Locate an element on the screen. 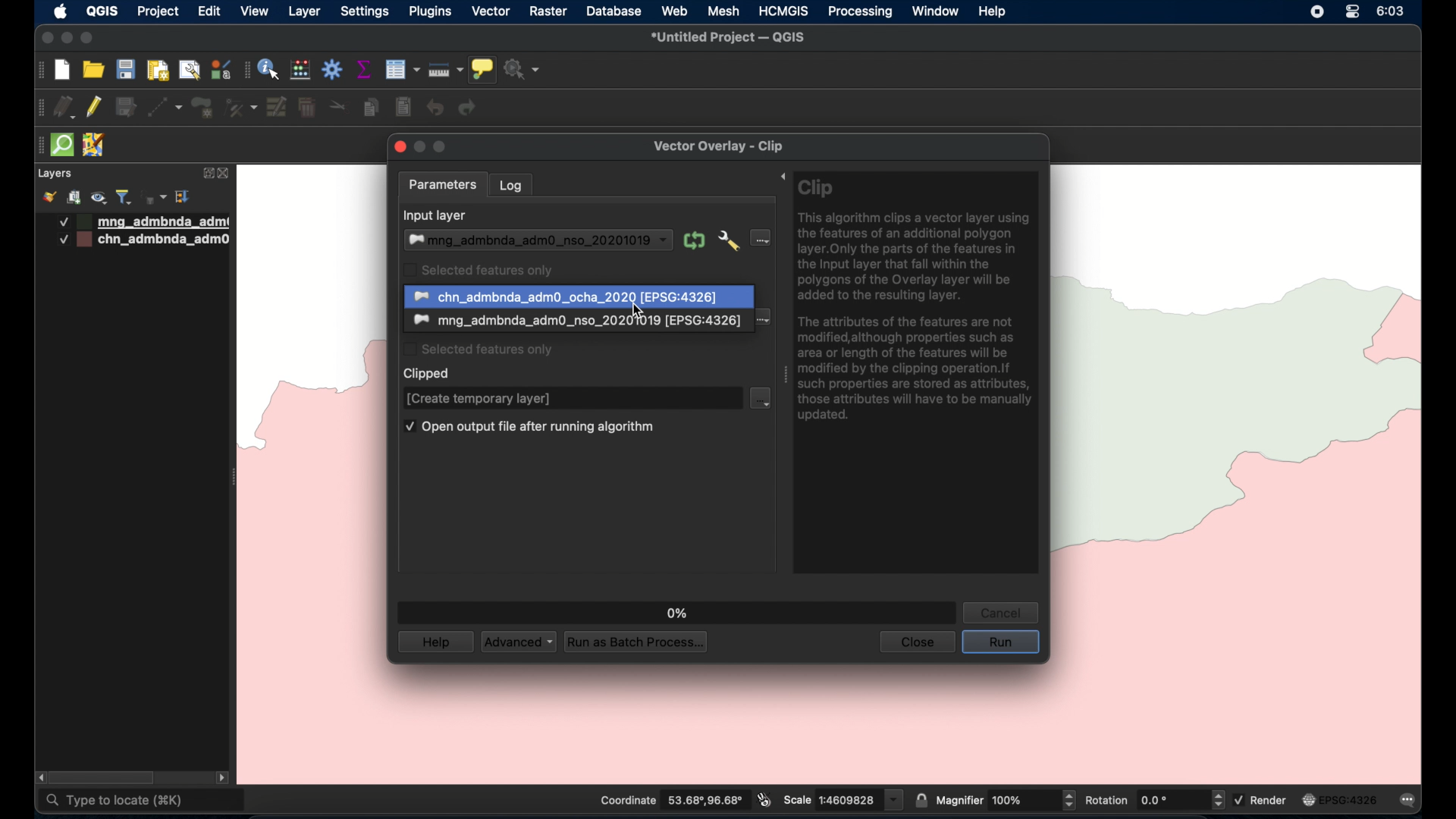 The width and height of the screenshot is (1456, 819). help is located at coordinates (435, 642).